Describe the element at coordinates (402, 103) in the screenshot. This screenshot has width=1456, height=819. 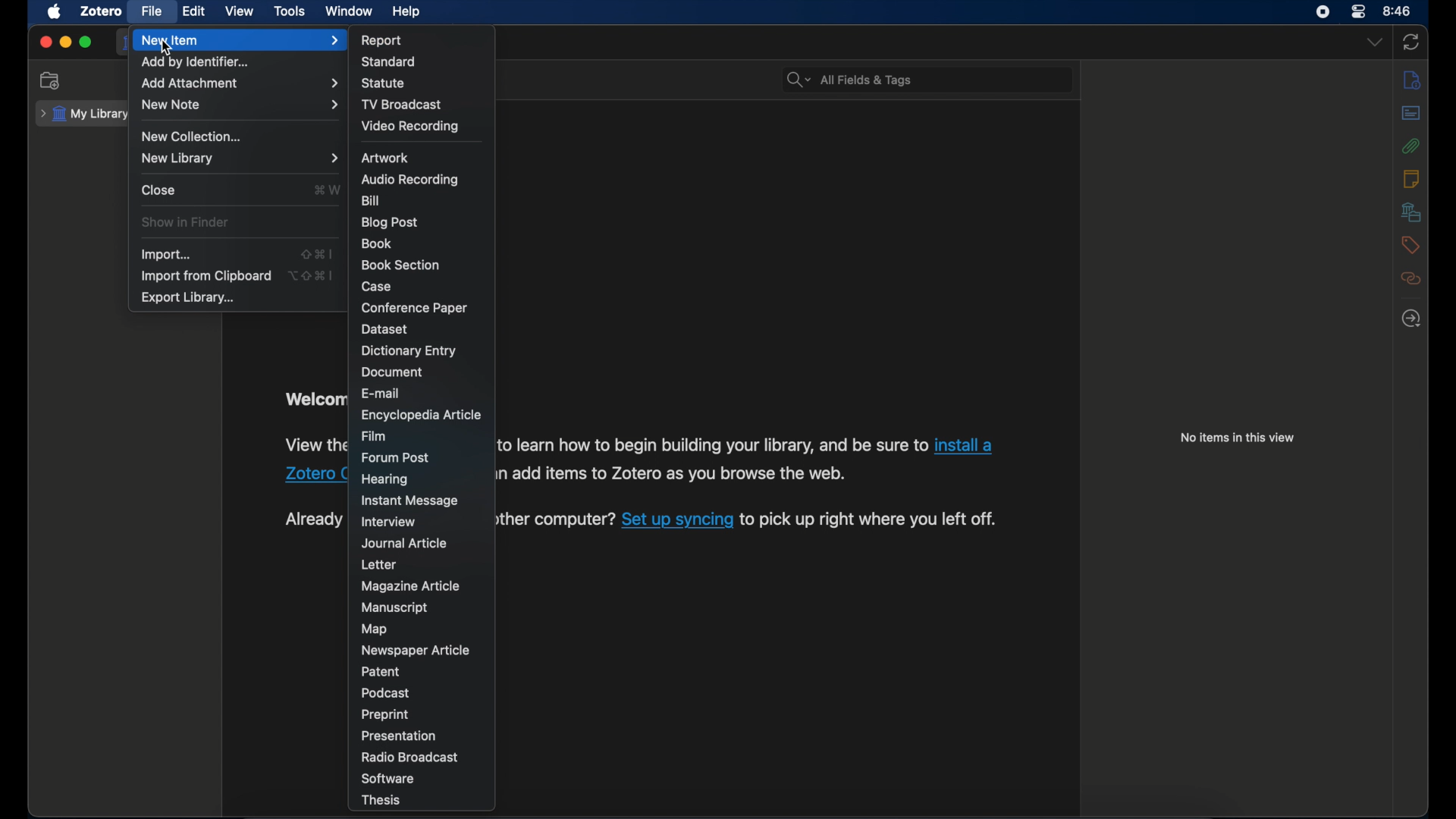
I see `tv broadcast` at that location.